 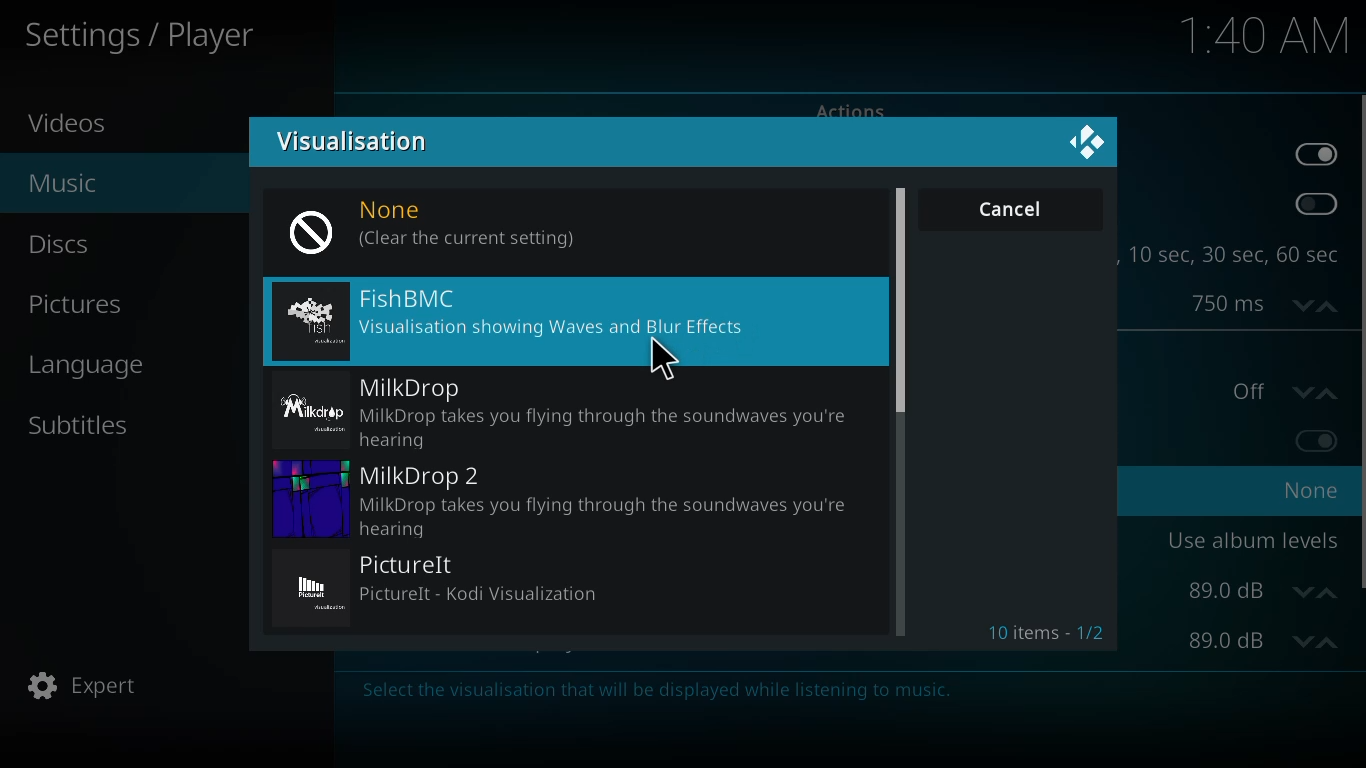 I want to click on pictureit, so click(x=449, y=585).